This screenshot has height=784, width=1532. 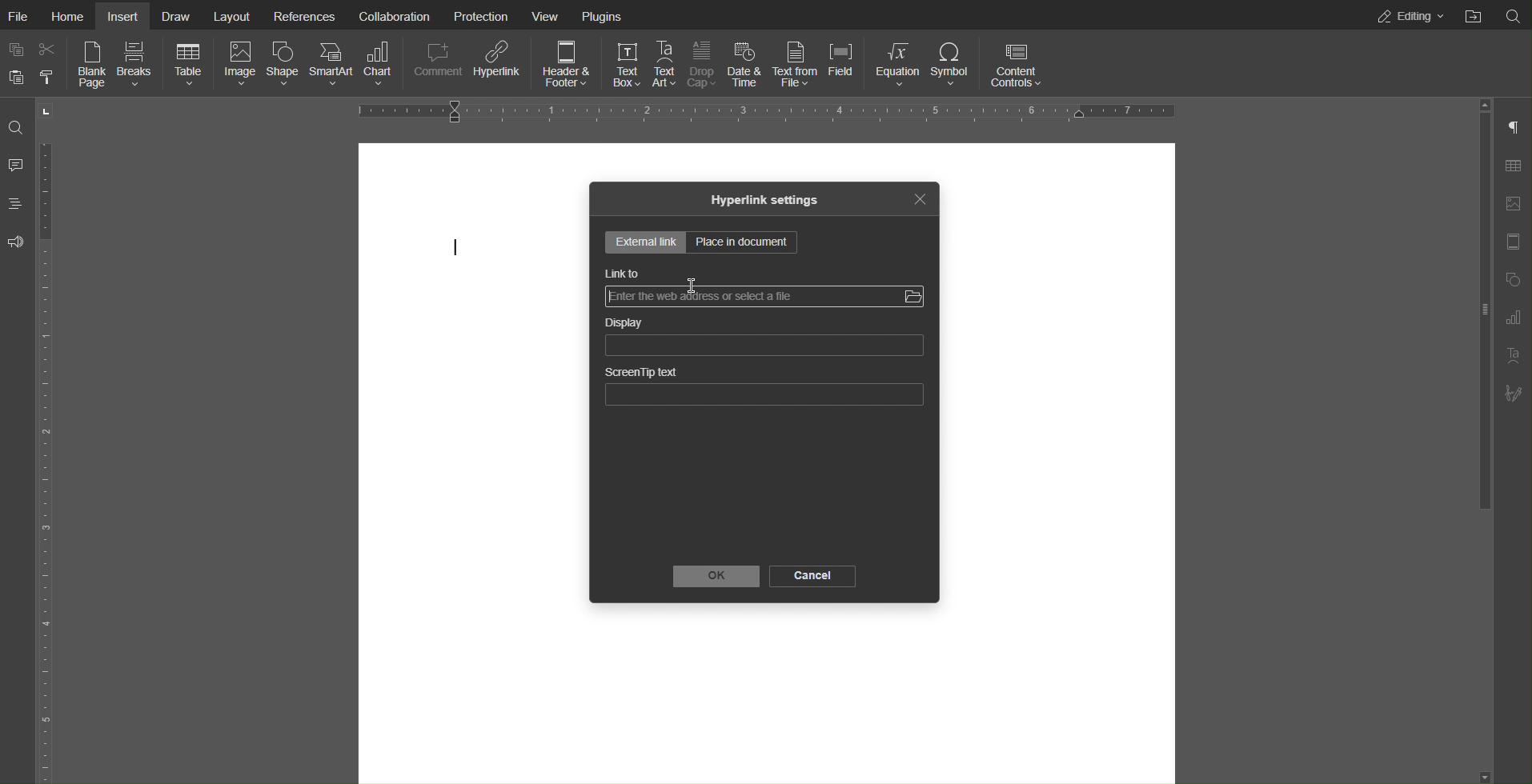 I want to click on Signature, so click(x=1514, y=393).